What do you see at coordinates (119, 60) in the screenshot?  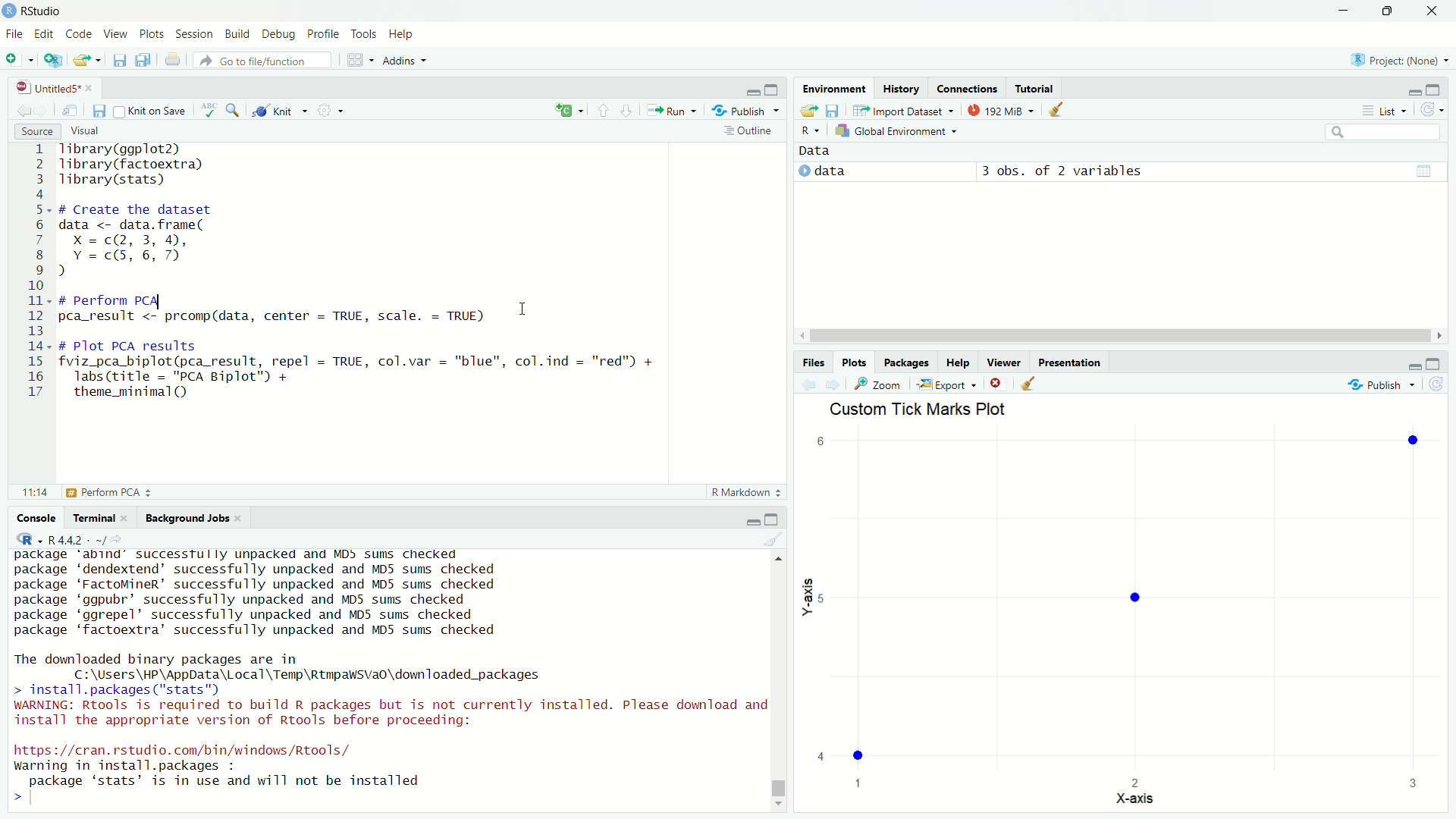 I see `save current document` at bounding box center [119, 60].